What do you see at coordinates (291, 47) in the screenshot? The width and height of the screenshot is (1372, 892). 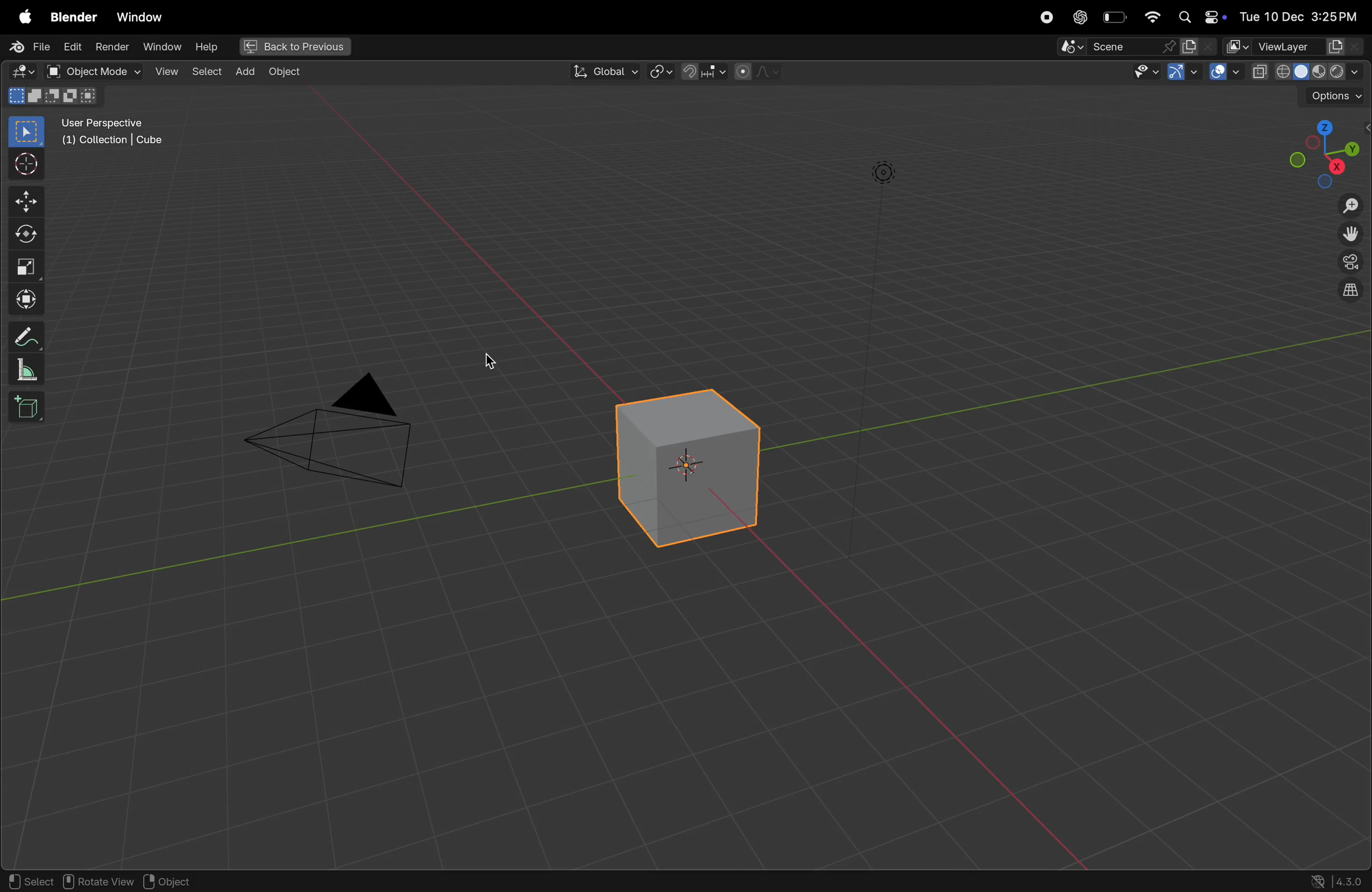 I see `Back to previous` at bounding box center [291, 47].